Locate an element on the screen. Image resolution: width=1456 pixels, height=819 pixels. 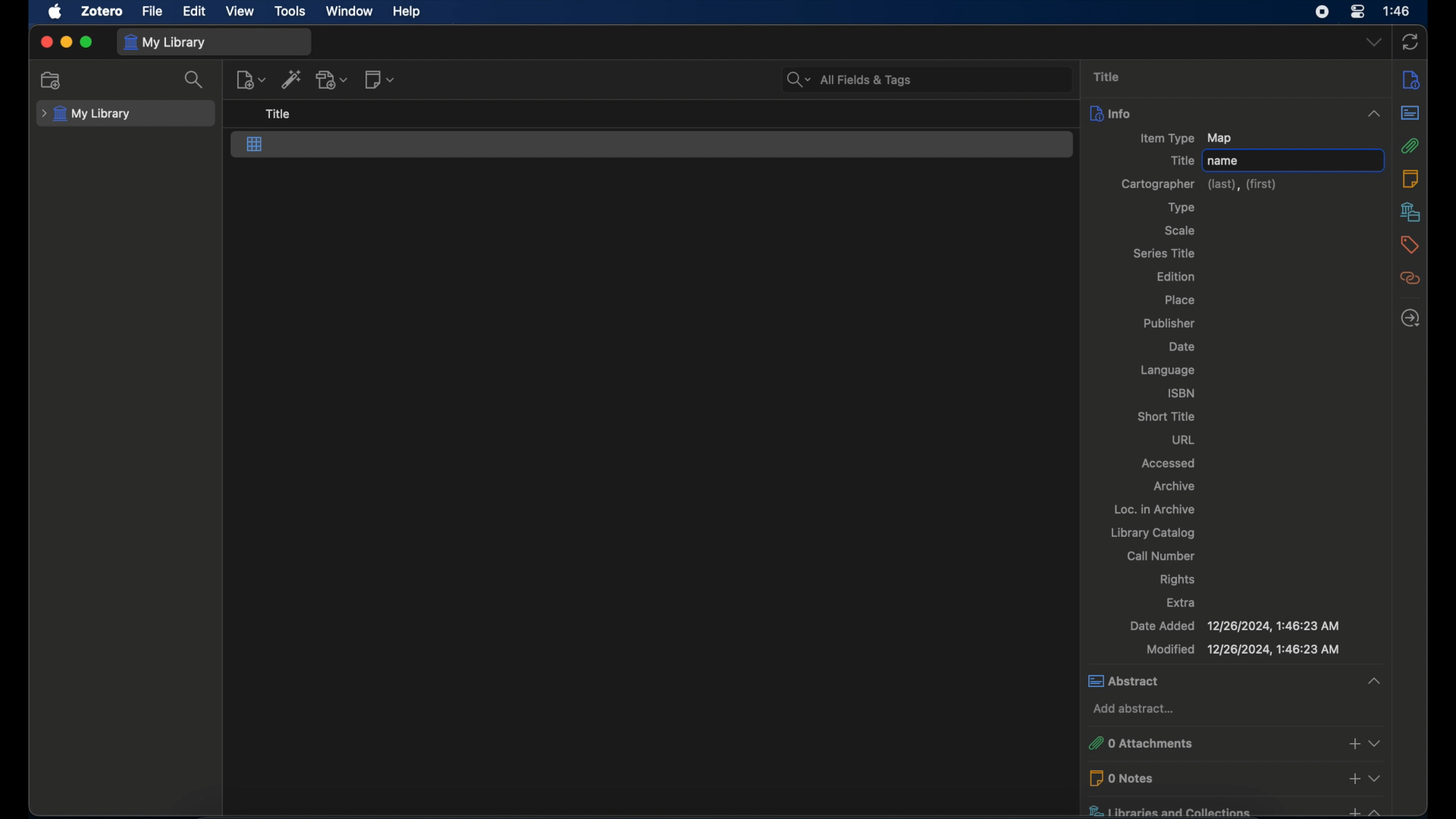
sync is located at coordinates (1411, 42).